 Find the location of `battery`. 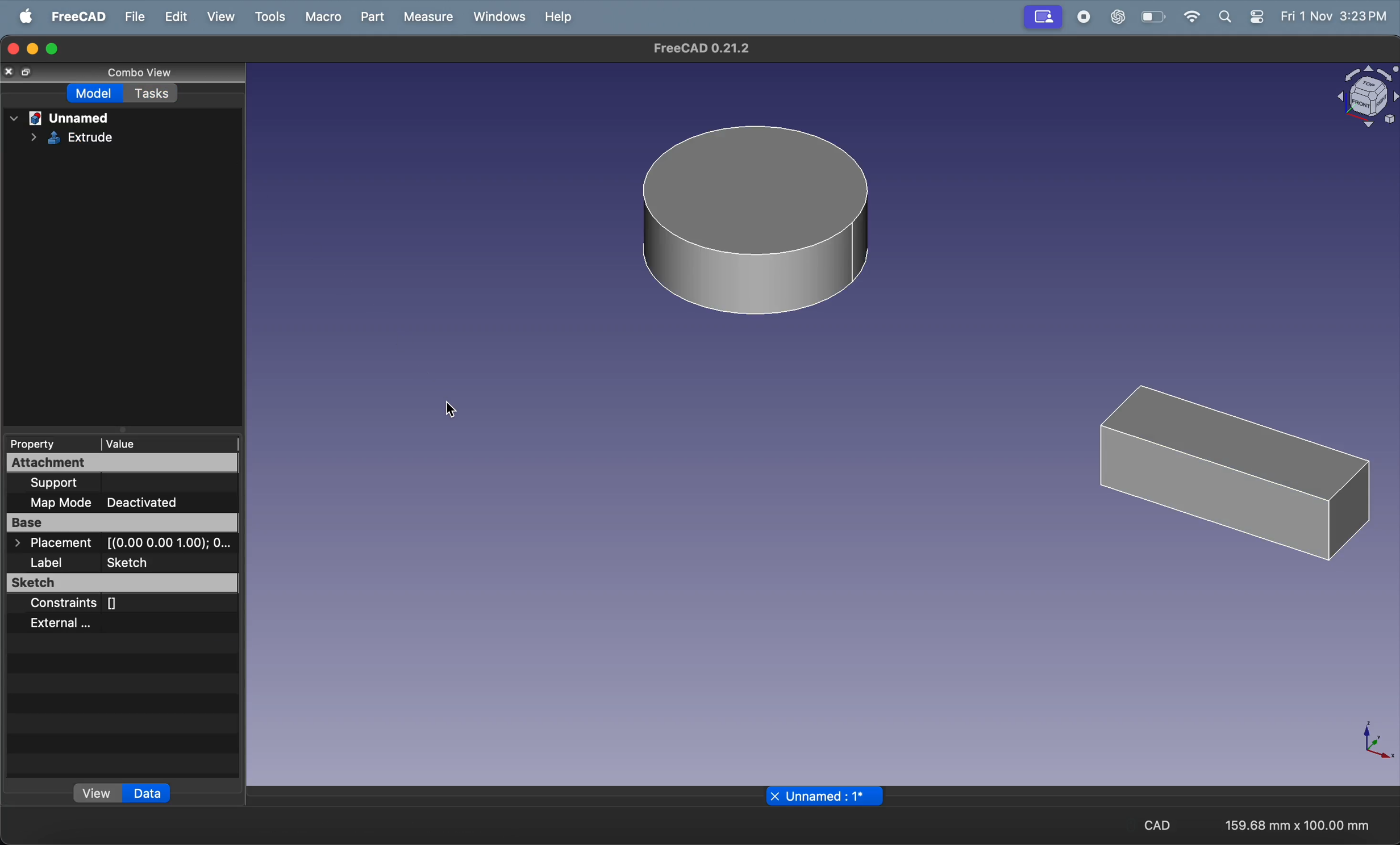

battery is located at coordinates (1152, 18).